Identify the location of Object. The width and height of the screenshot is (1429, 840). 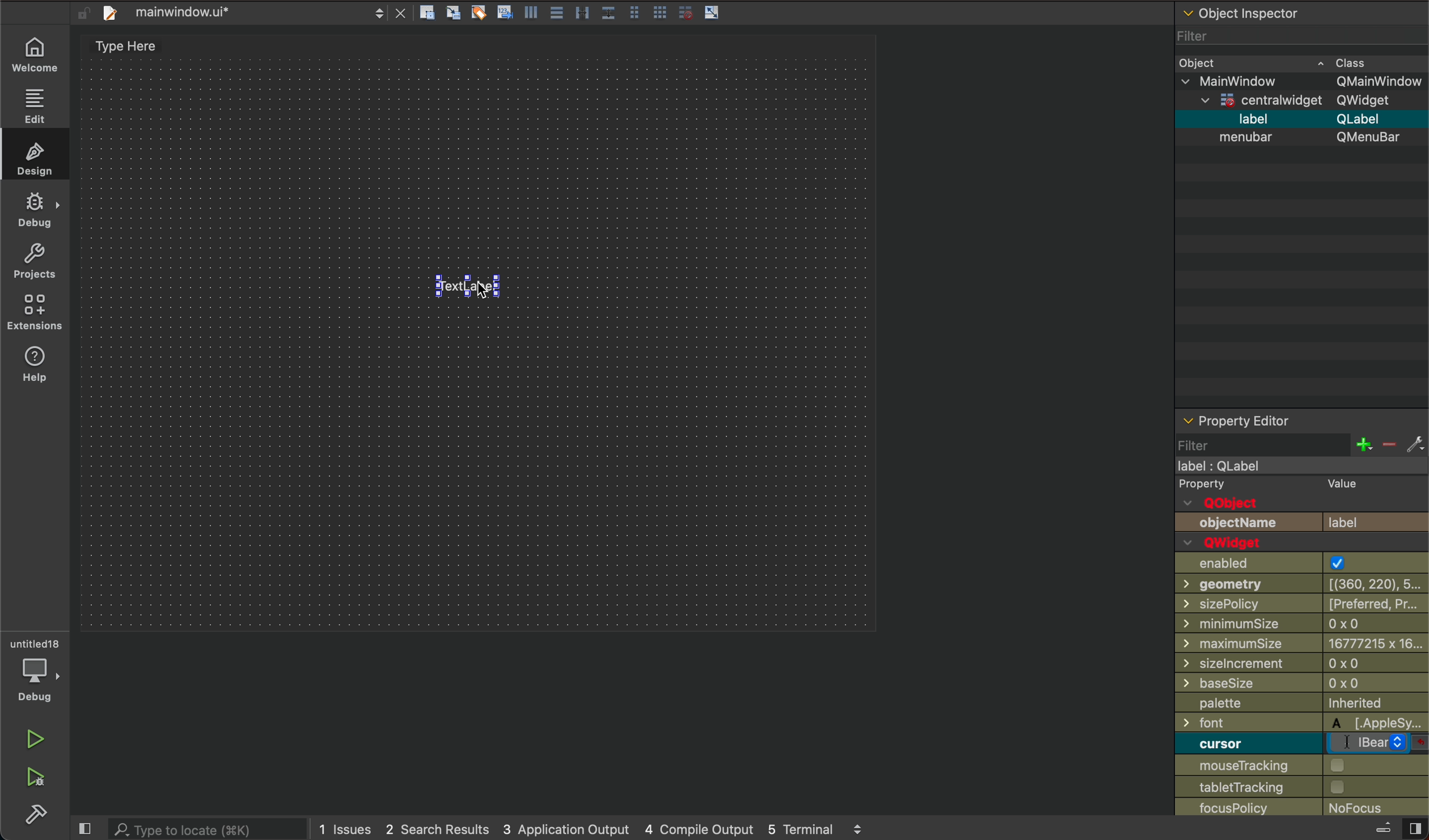
(1200, 61).